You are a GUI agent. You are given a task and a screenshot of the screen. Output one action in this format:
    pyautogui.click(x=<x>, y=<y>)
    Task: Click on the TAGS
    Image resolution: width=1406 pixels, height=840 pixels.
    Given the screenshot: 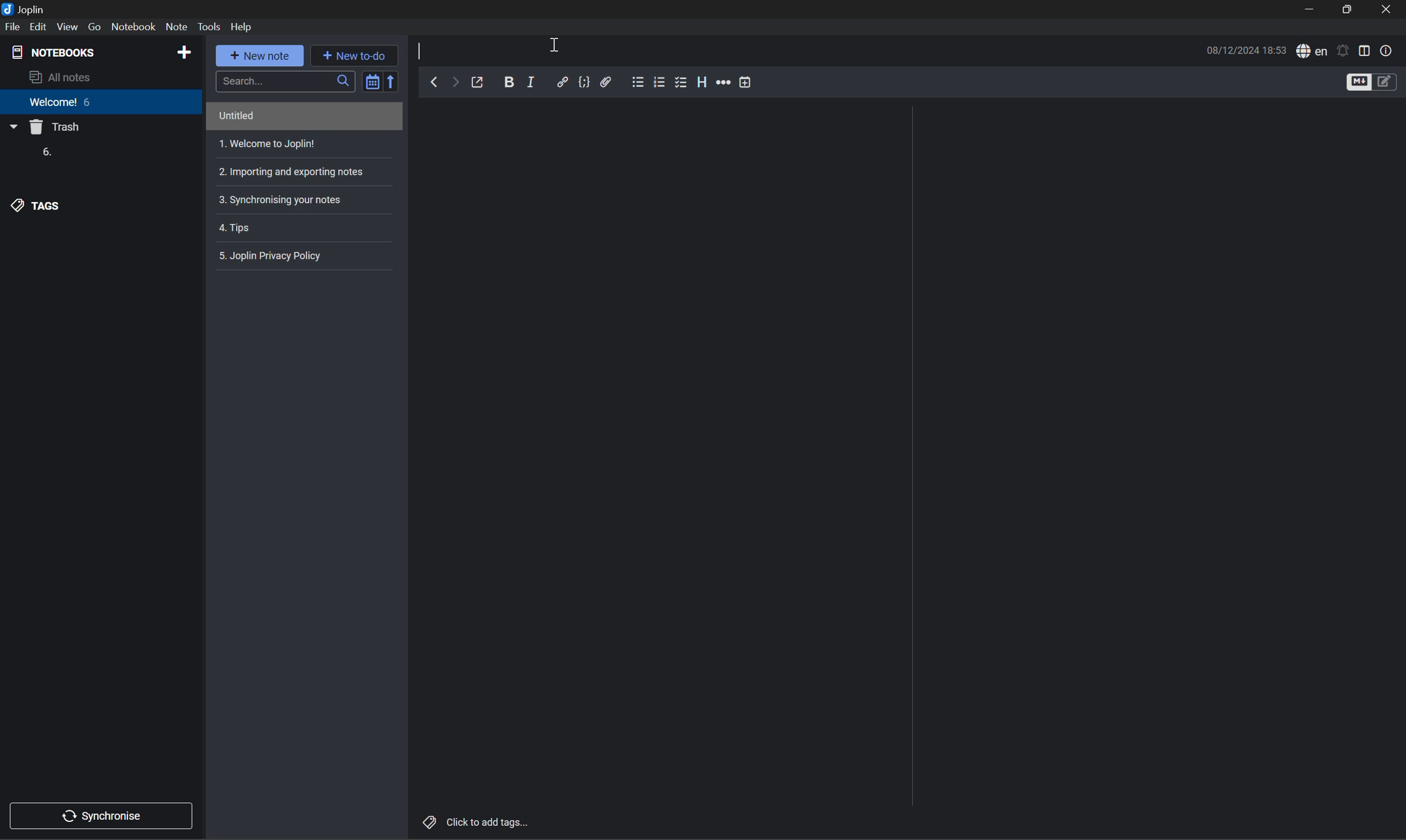 What is the action you would take?
    pyautogui.click(x=39, y=205)
    